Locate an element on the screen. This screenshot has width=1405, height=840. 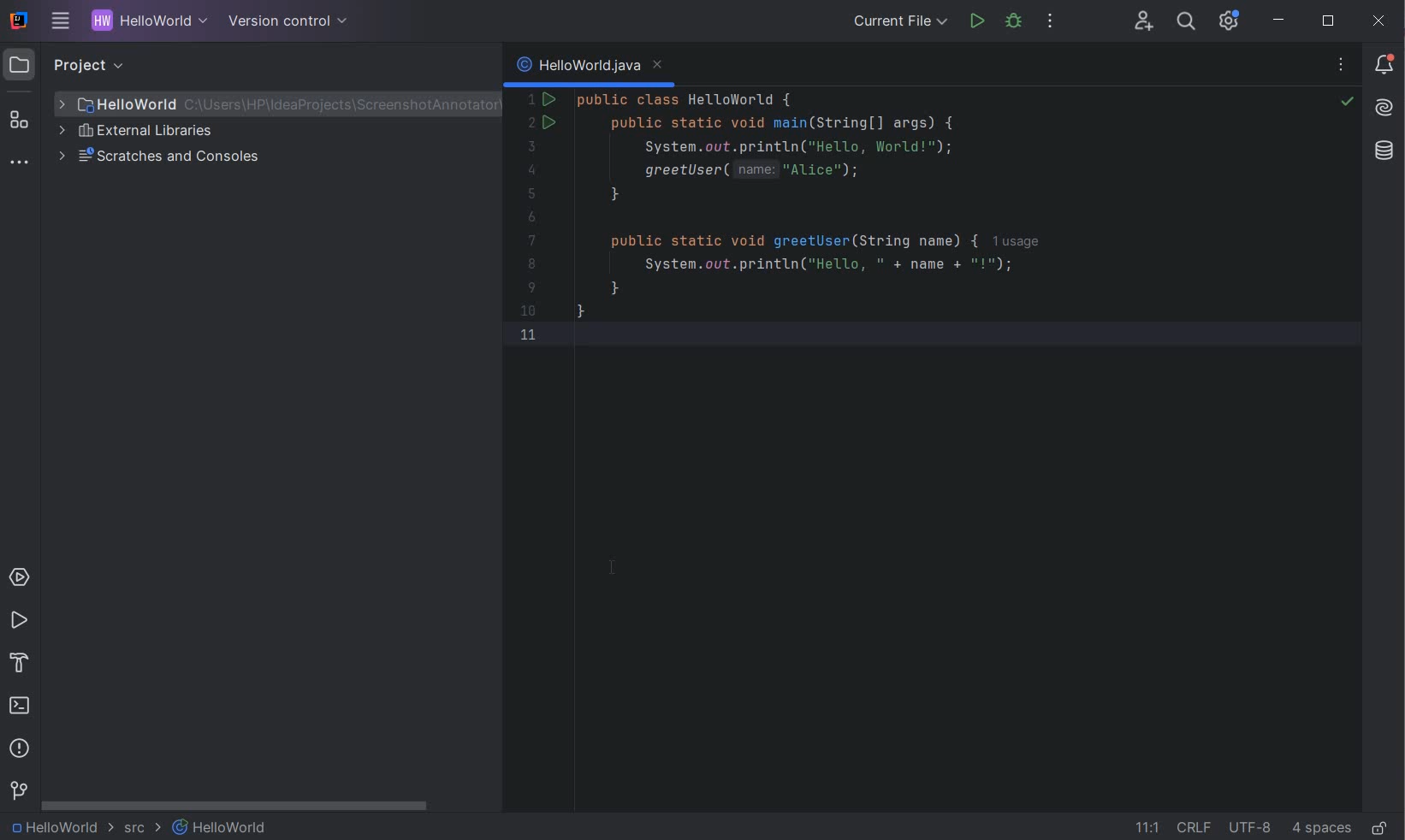
CODE WITH ME is located at coordinates (1145, 21).